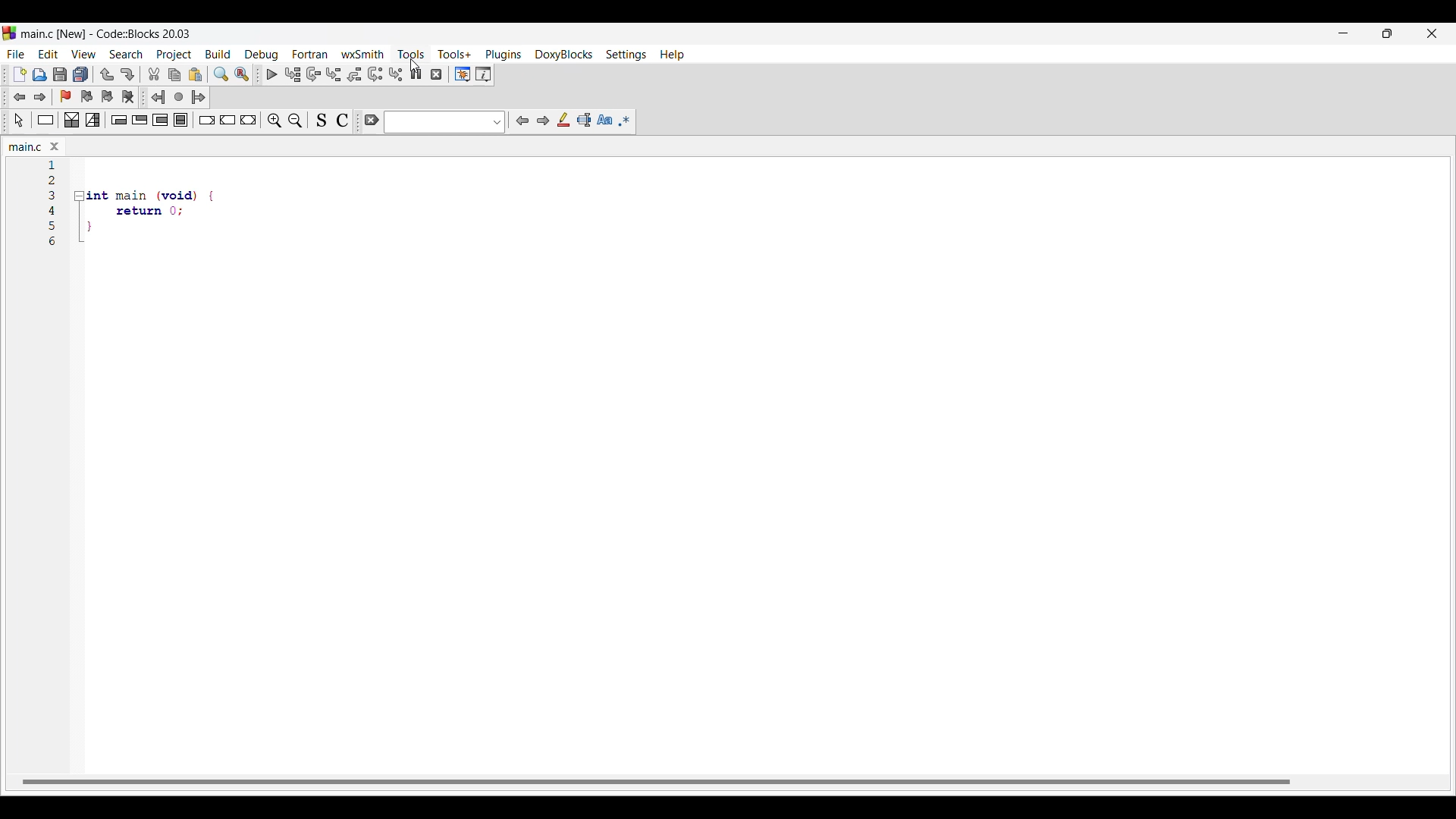 The height and width of the screenshot is (819, 1456). What do you see at coordinates (221, 74) in the screenshot?
I see `Find` at bounding box center [221, 74].